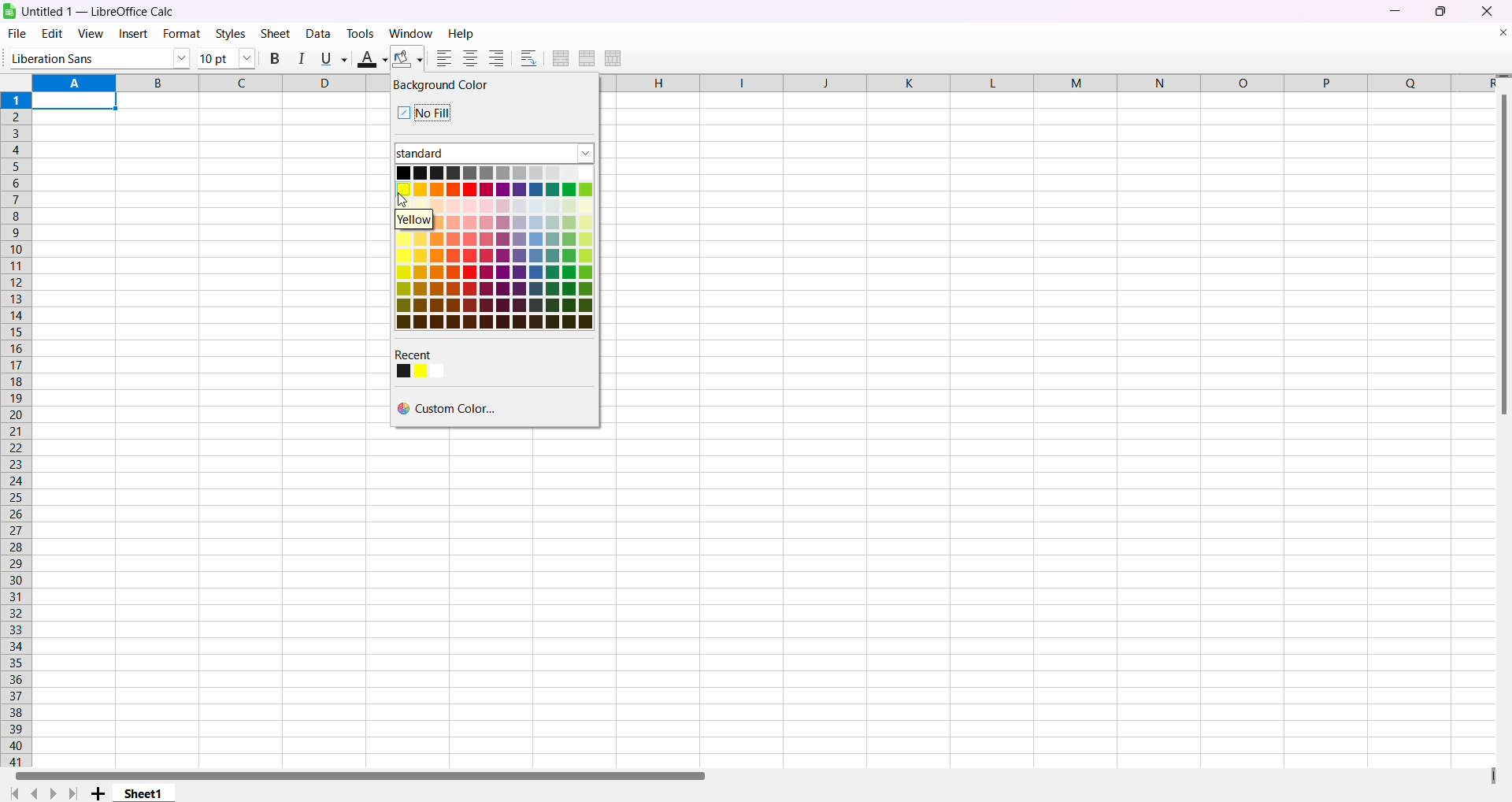 The image size is (1512, 802). What do you see at coordinates (12, 12) in the screenshot?
I see `logo` at bounding box center [12, 12].